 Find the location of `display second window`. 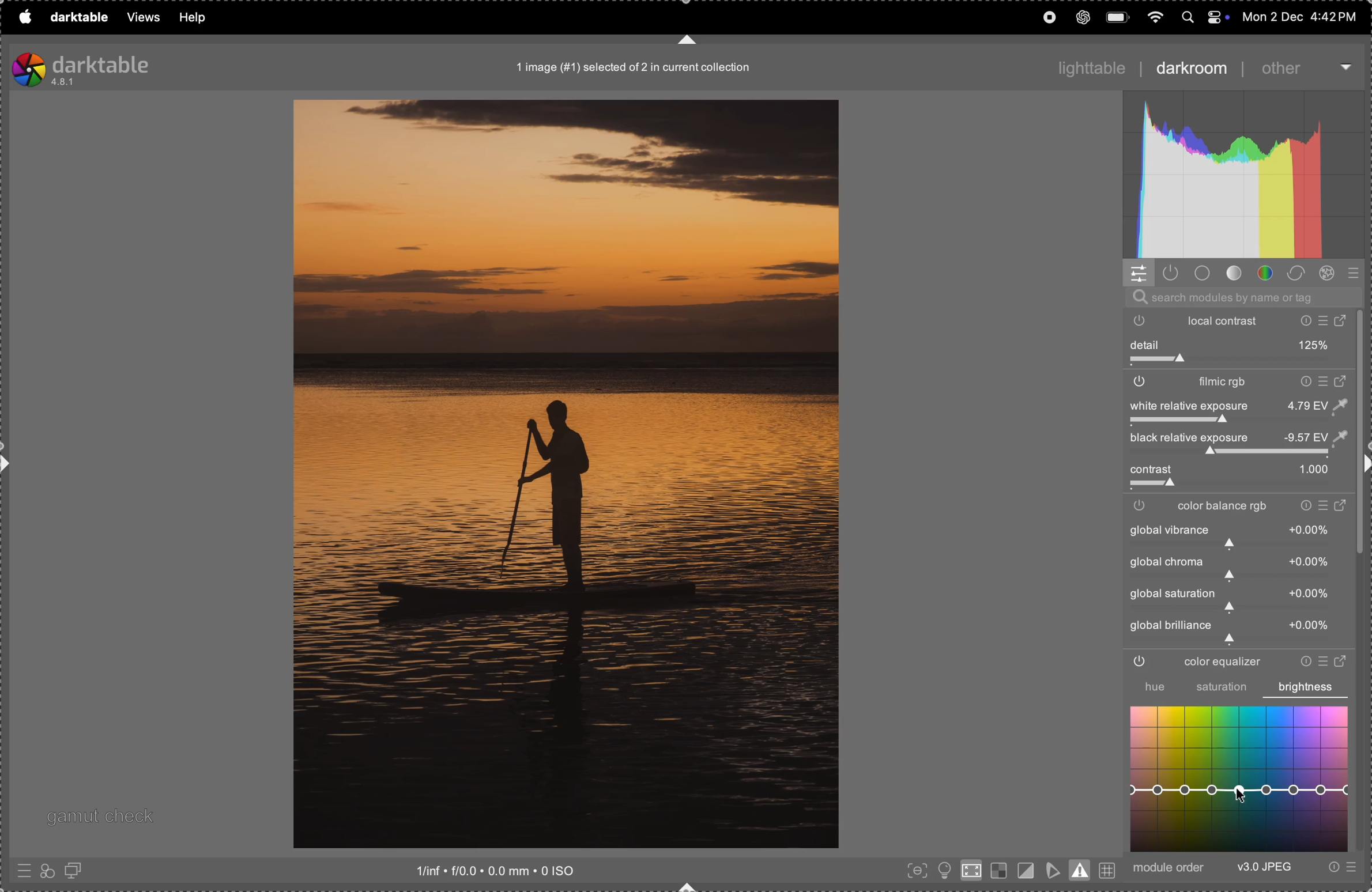

display second window is located at coordinates (78, 870).